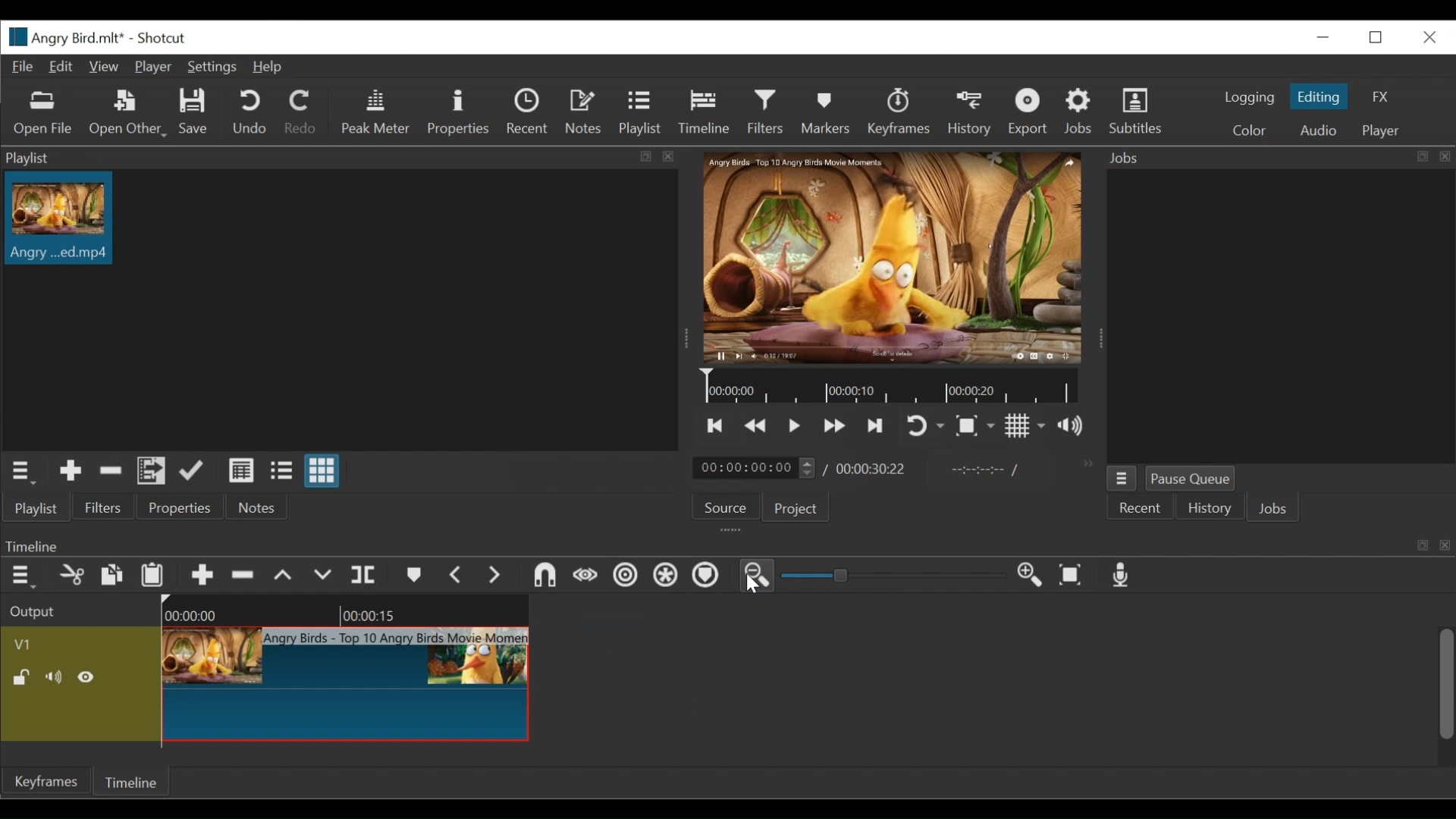 This screenshot has width=1456, height=819. I want to click on FX, so click(1379, 98).